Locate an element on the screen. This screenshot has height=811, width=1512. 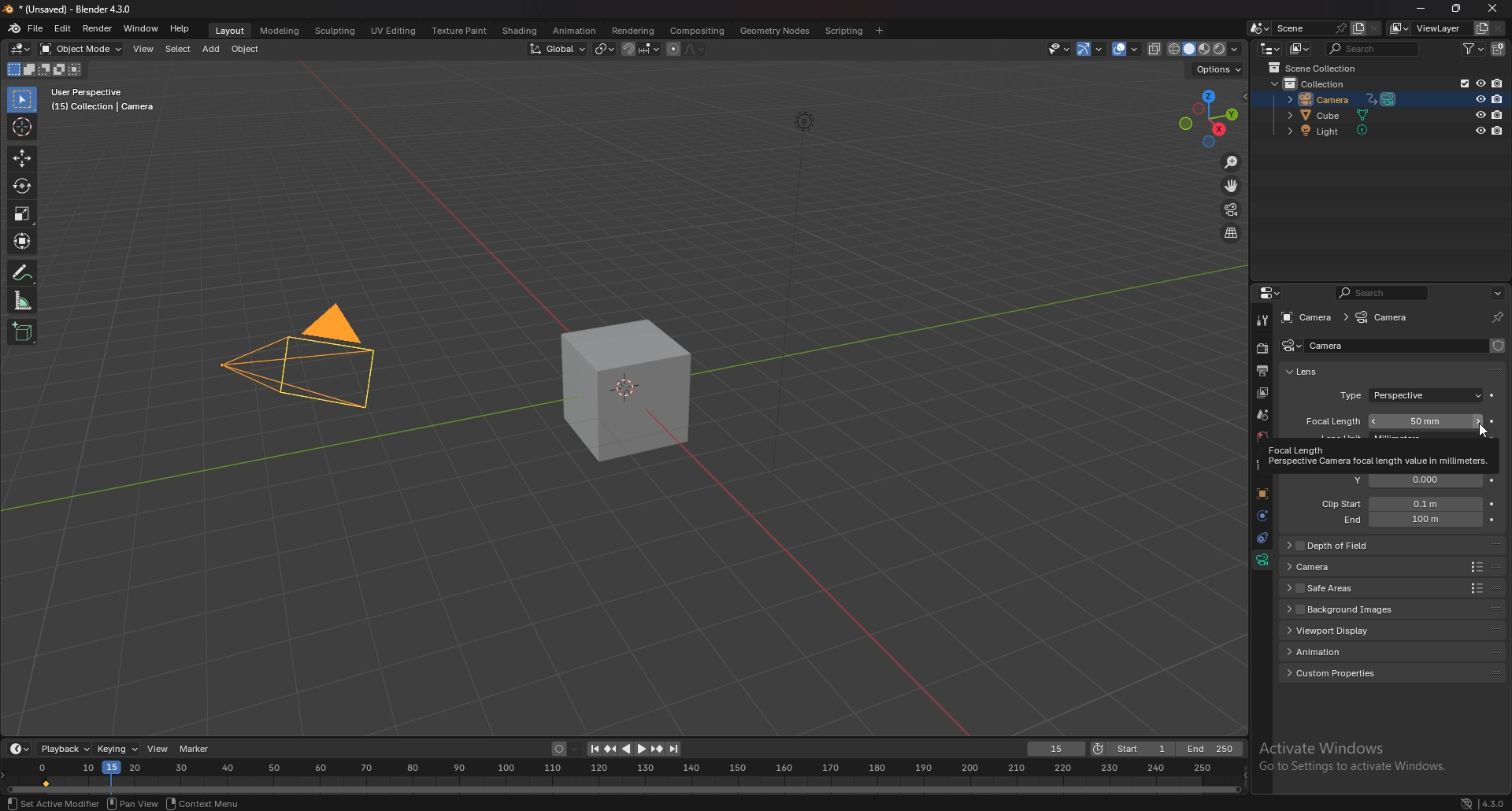
 is located at coordinates (209, 803).